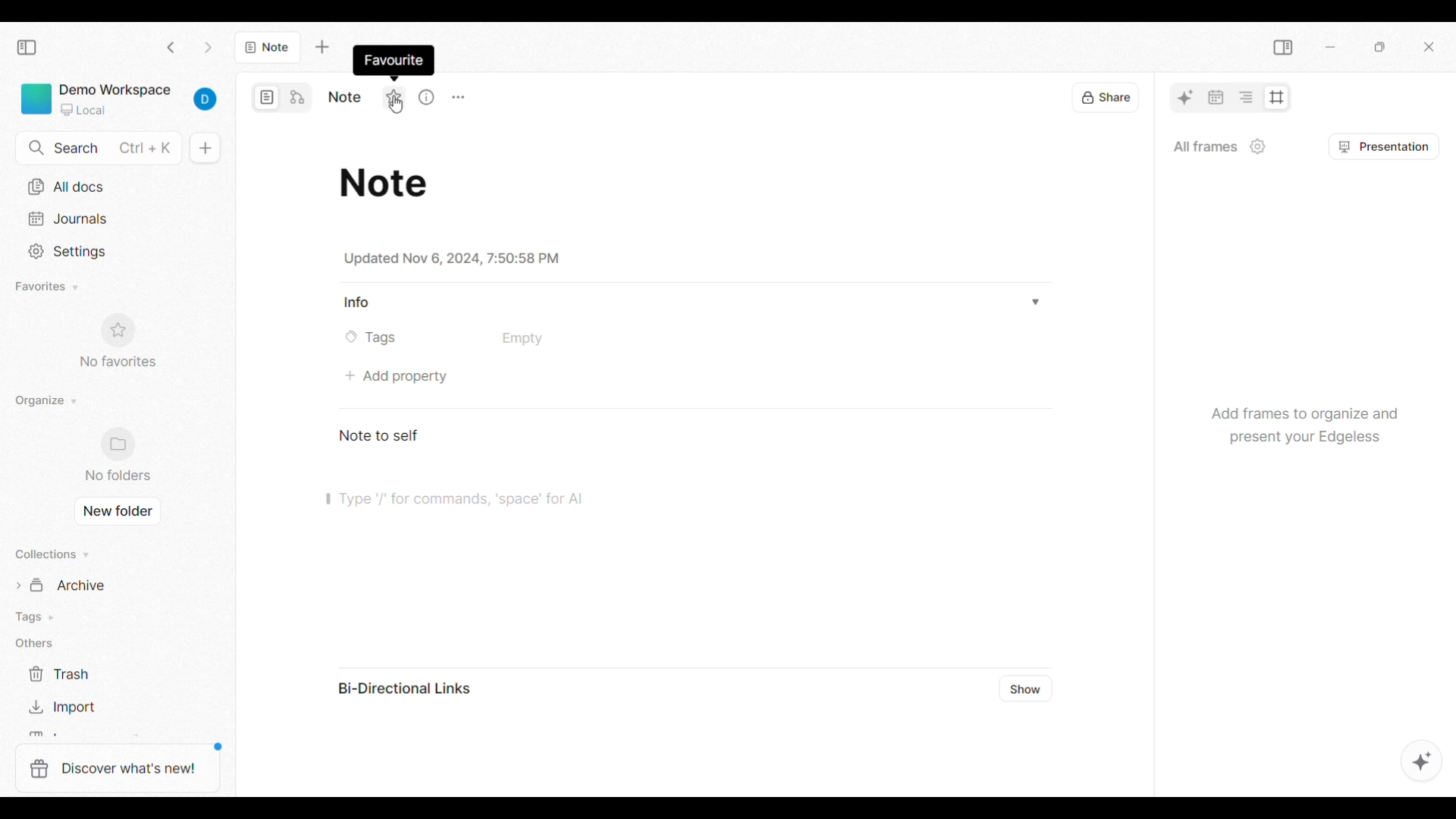 Image resolution: width=1456 pixels, height=819 pixels. I want to click on Add to favorites/bookmark, so click(394, 96).